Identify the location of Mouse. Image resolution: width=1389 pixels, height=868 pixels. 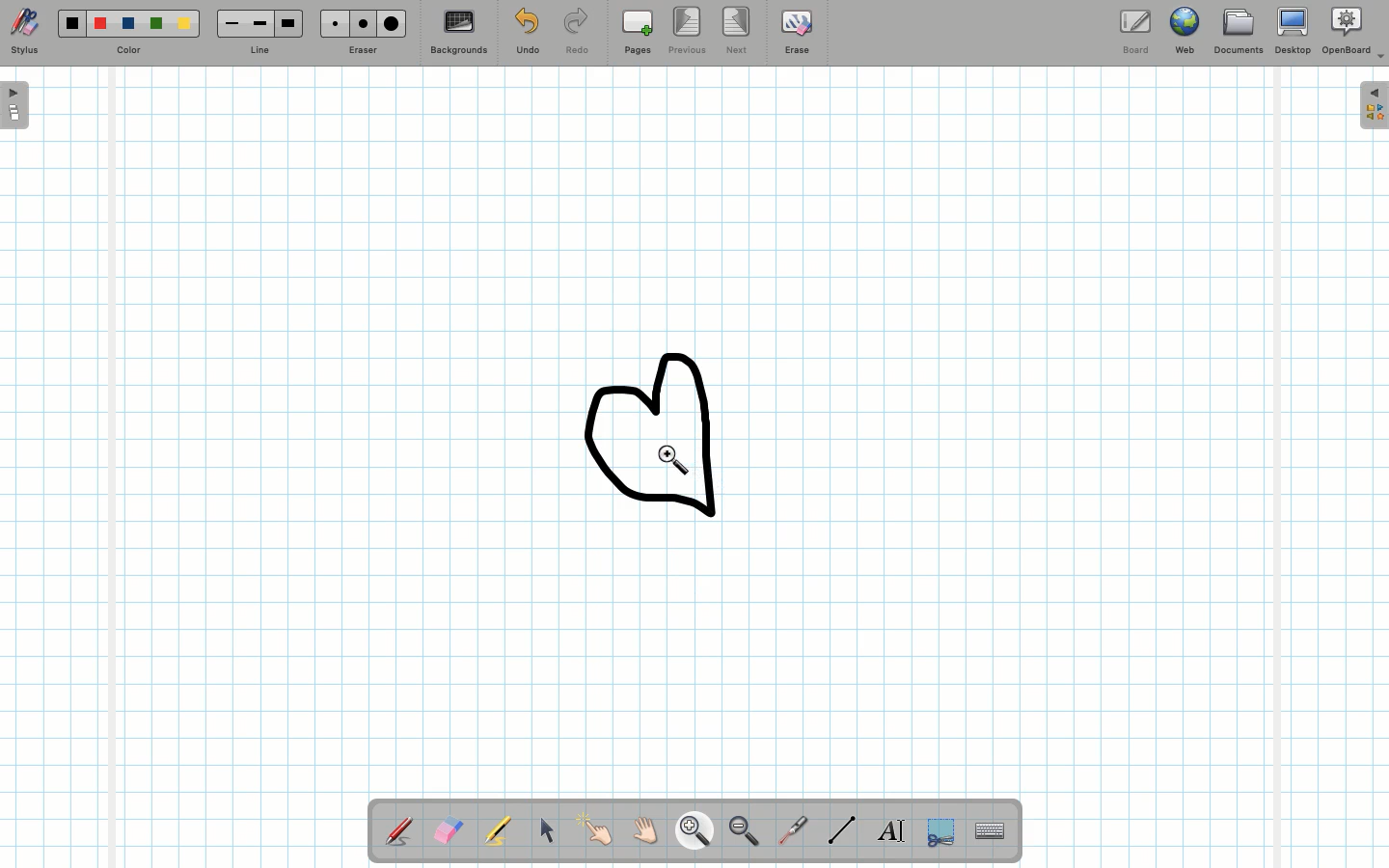
(547, 833).